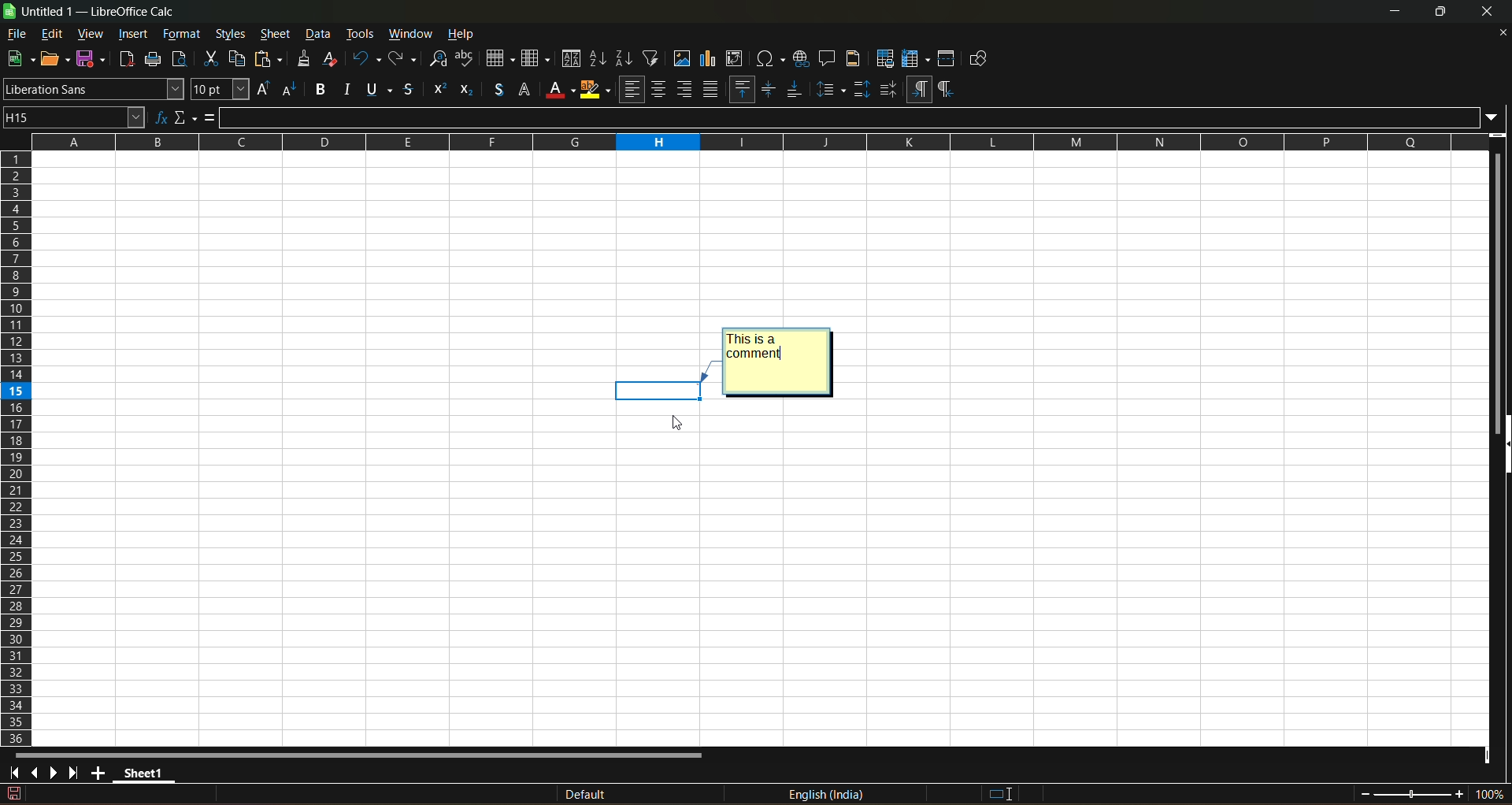 The image size is (1512, 805). What do you see at coordinates (240, 794) in the screenshot?
I see `The document has been modified.Click to save the document.` at bounding box center [240, 794].